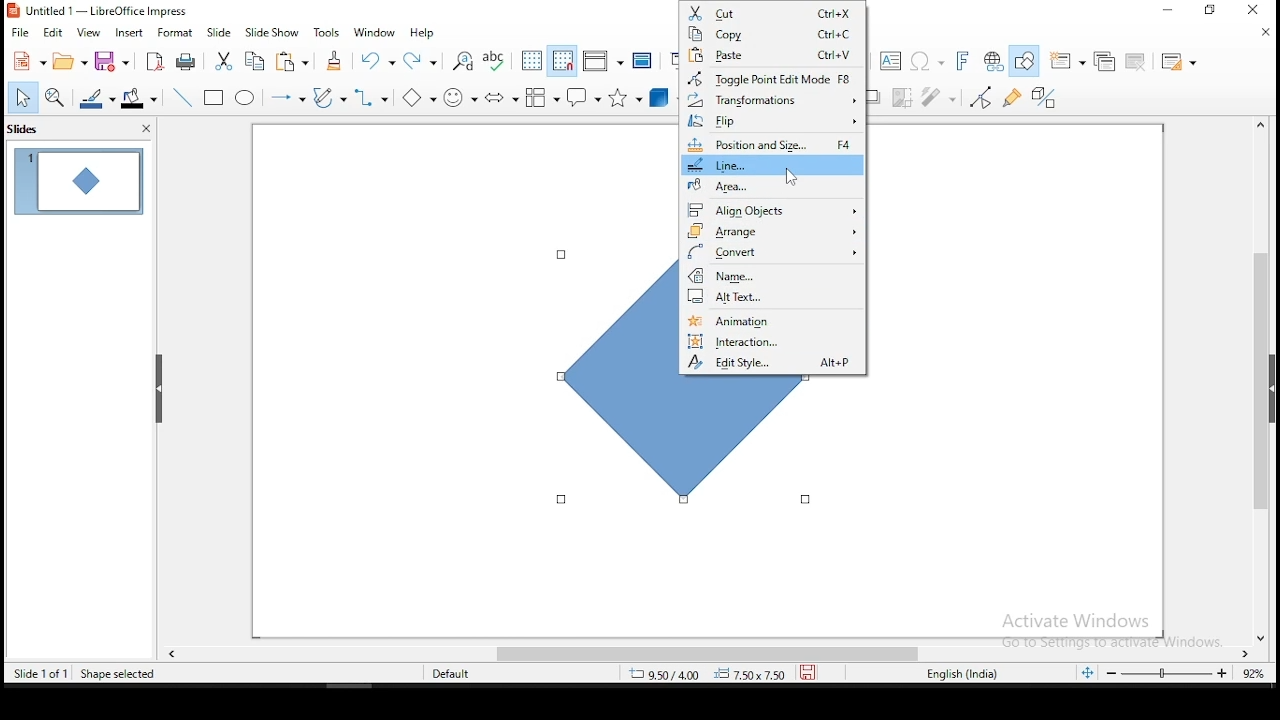 This screenshot has width=1280, height=720. Describe the element at coordinates (774, 207) in the screenshot. I see `align objects` at that location.